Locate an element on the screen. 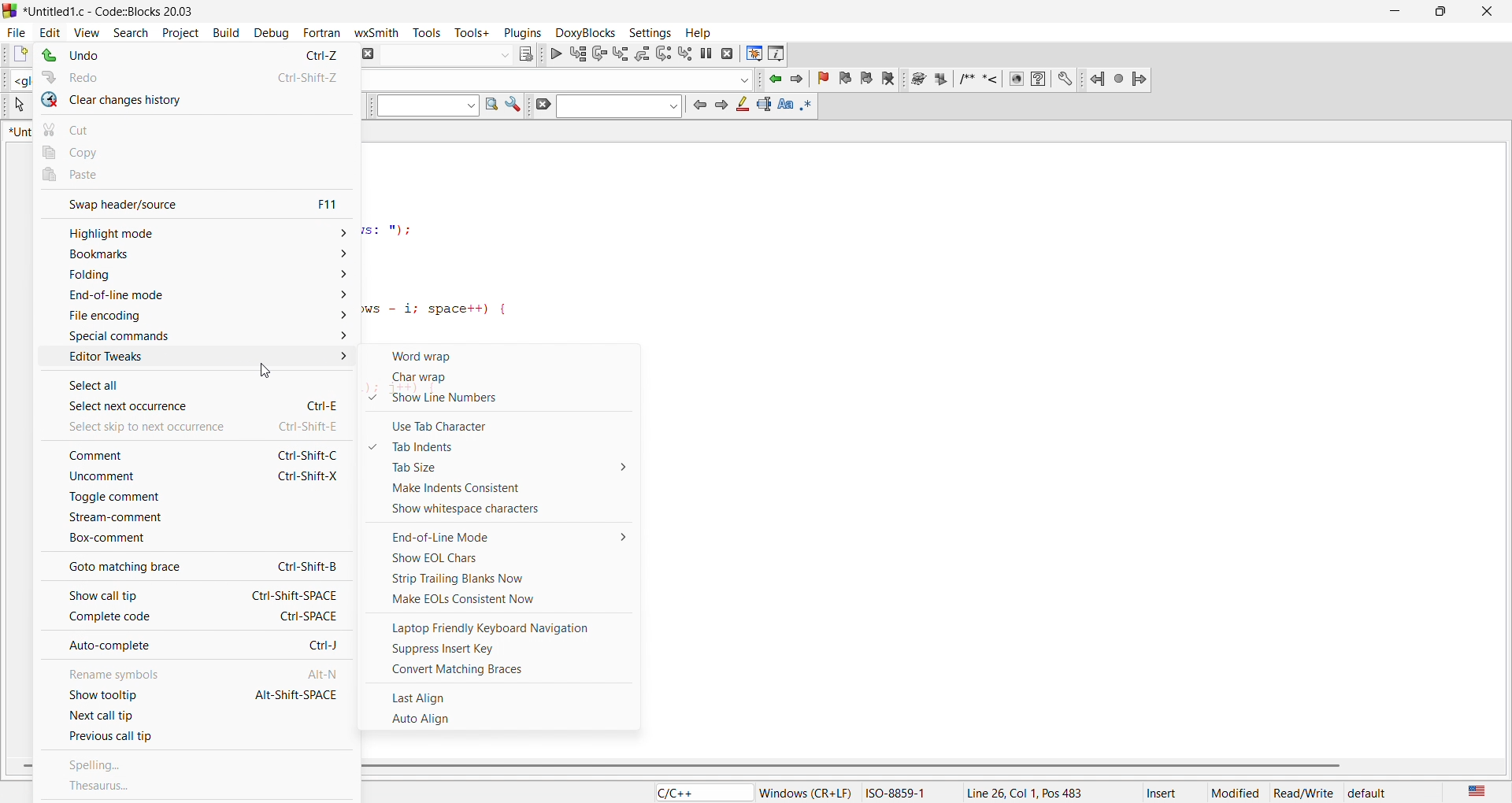  spelling is located at coordinates (198, 760).